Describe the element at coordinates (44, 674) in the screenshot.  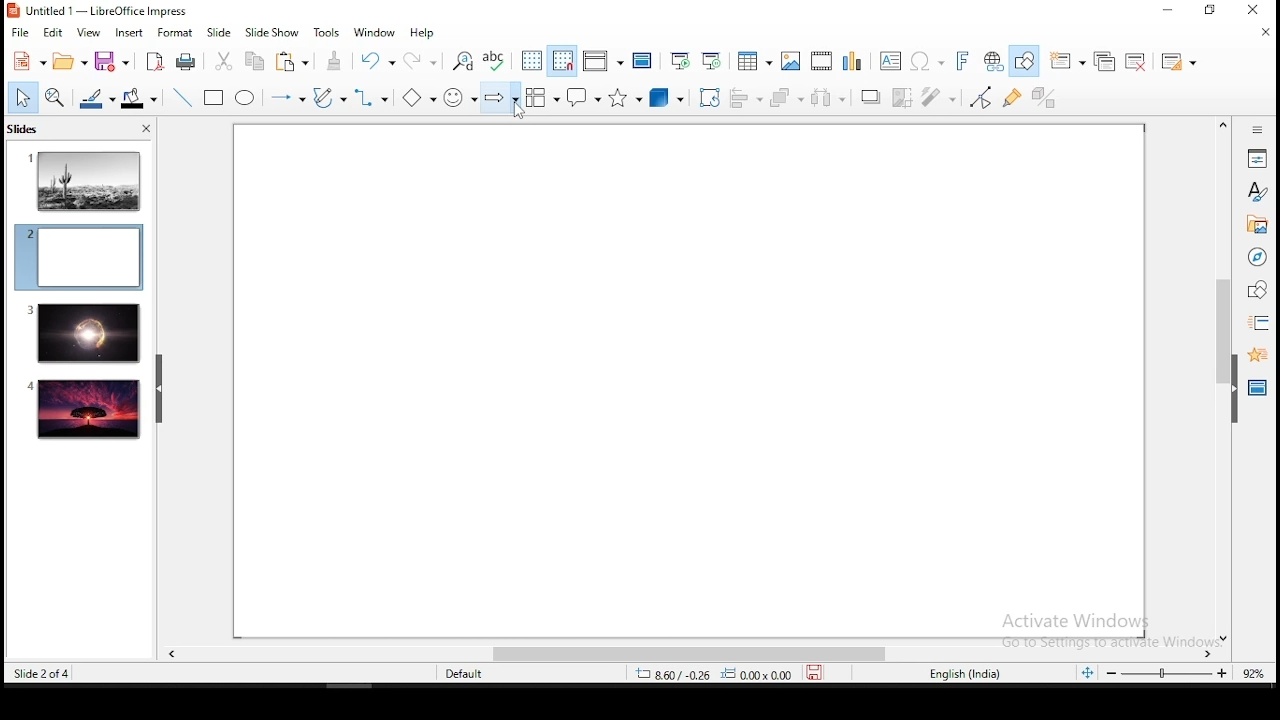
I see `slide 2 of 4` at that location.